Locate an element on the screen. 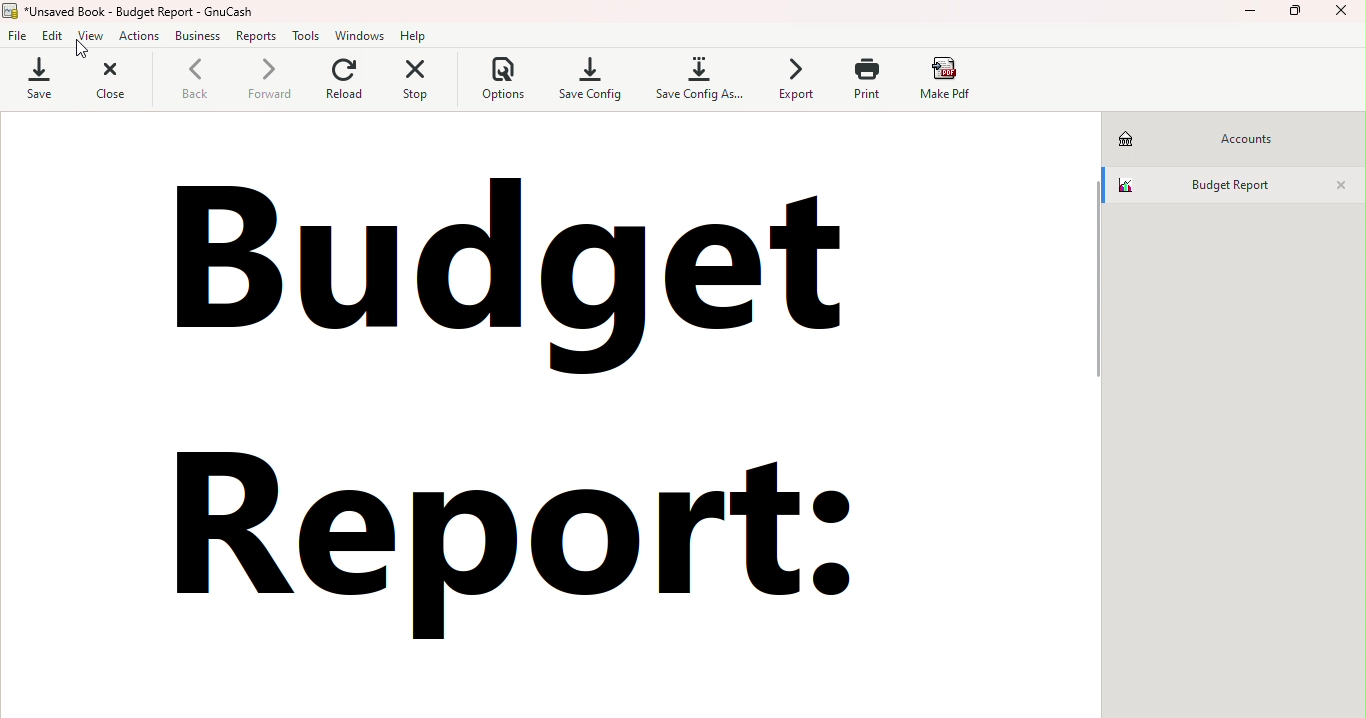  Reload is located at coordinates (342, 82).